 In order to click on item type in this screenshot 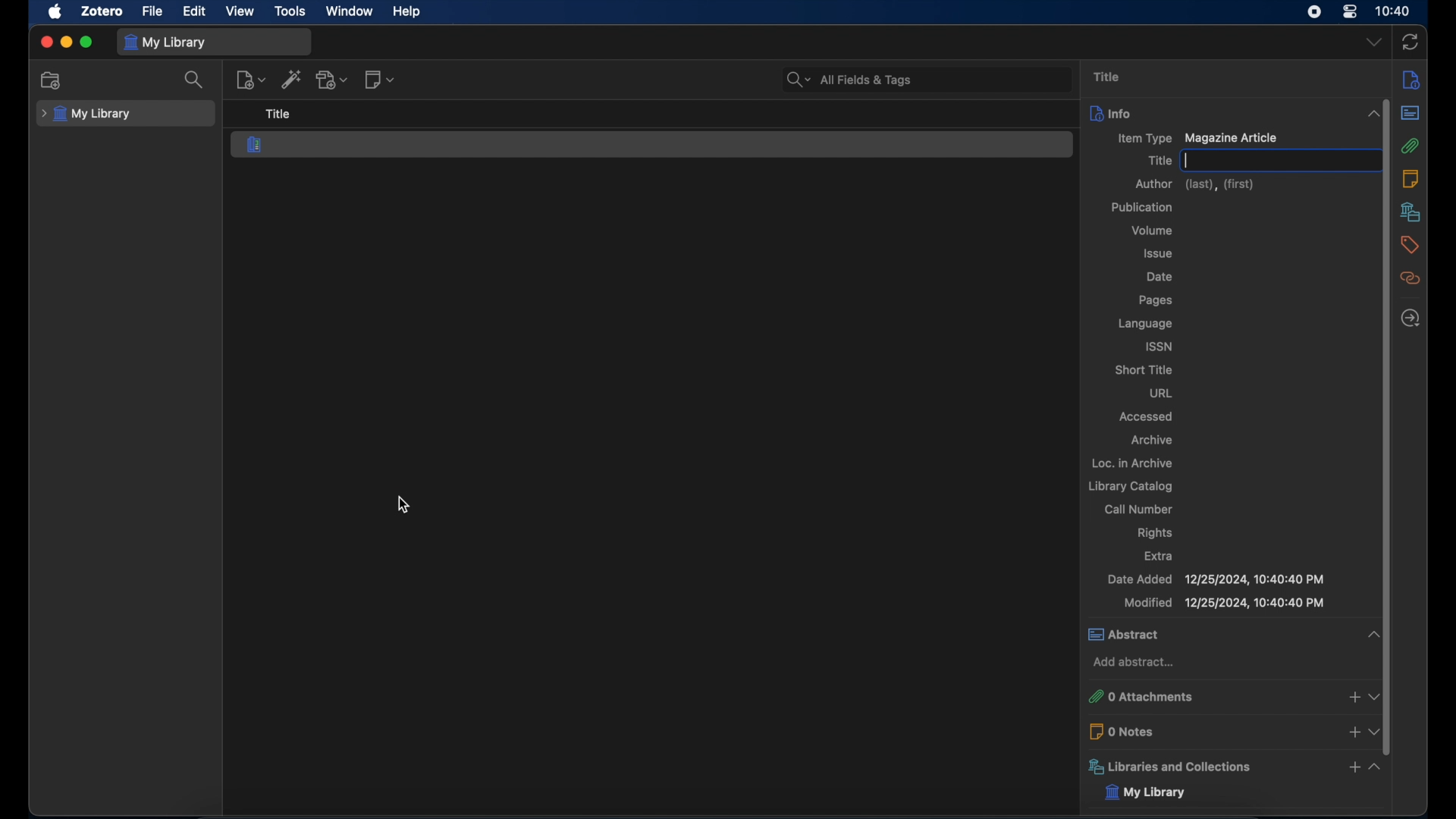, I will do `click(1142, 140)`.